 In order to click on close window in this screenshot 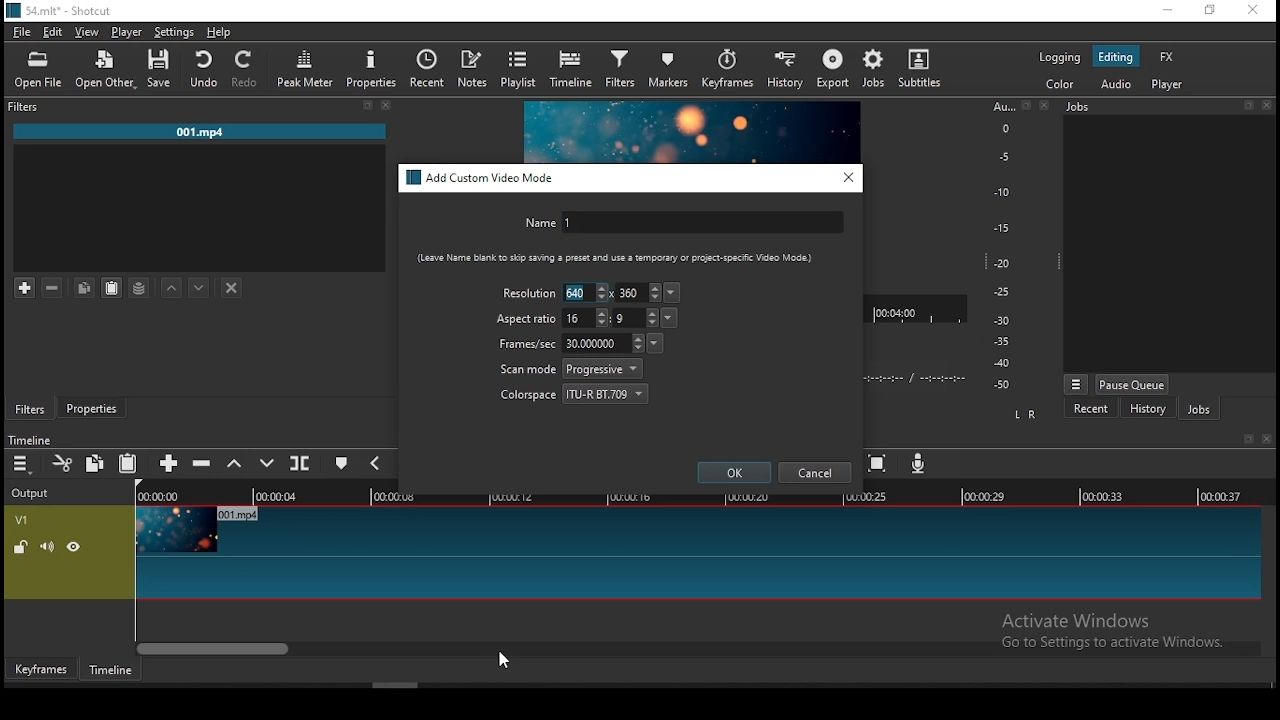, I will do `click(1252, 11)`.